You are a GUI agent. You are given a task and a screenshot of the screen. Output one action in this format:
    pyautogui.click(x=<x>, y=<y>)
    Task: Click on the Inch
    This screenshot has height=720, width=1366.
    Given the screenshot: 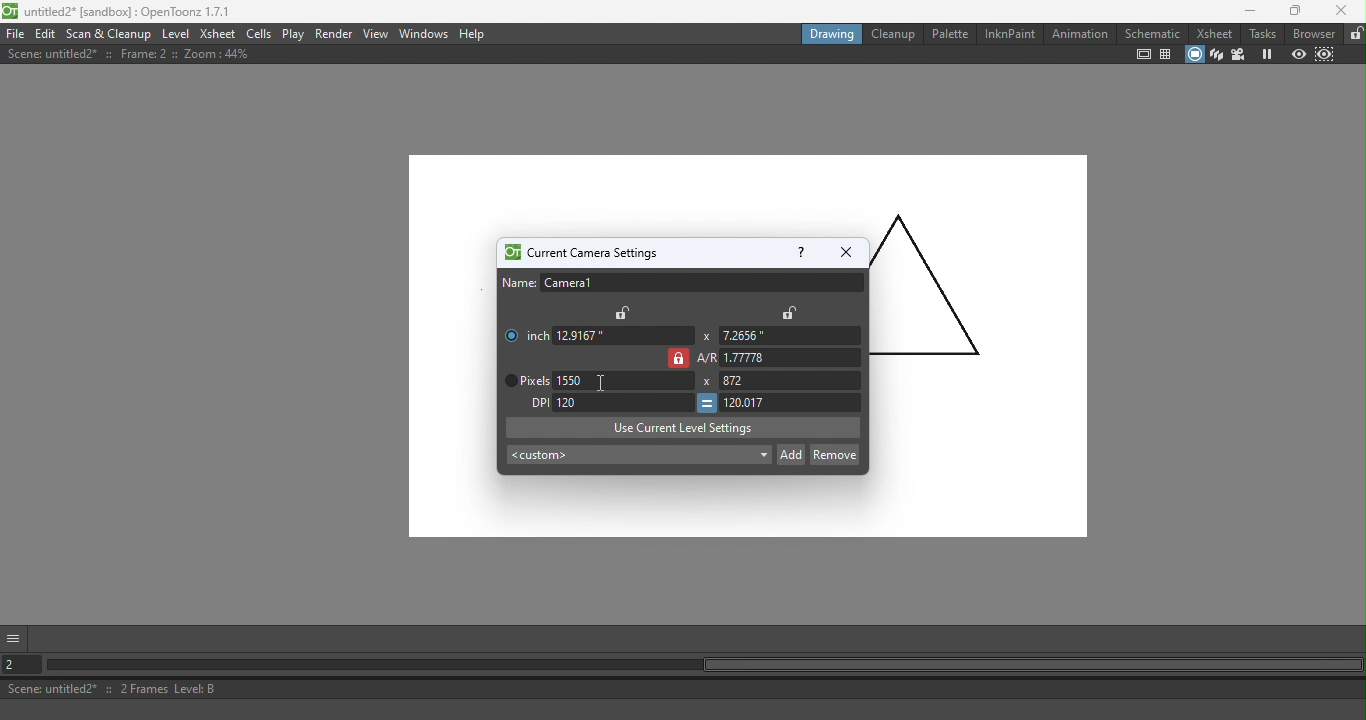 What is the action you would take?
    pyautogui.click(x=523, y=331)
    